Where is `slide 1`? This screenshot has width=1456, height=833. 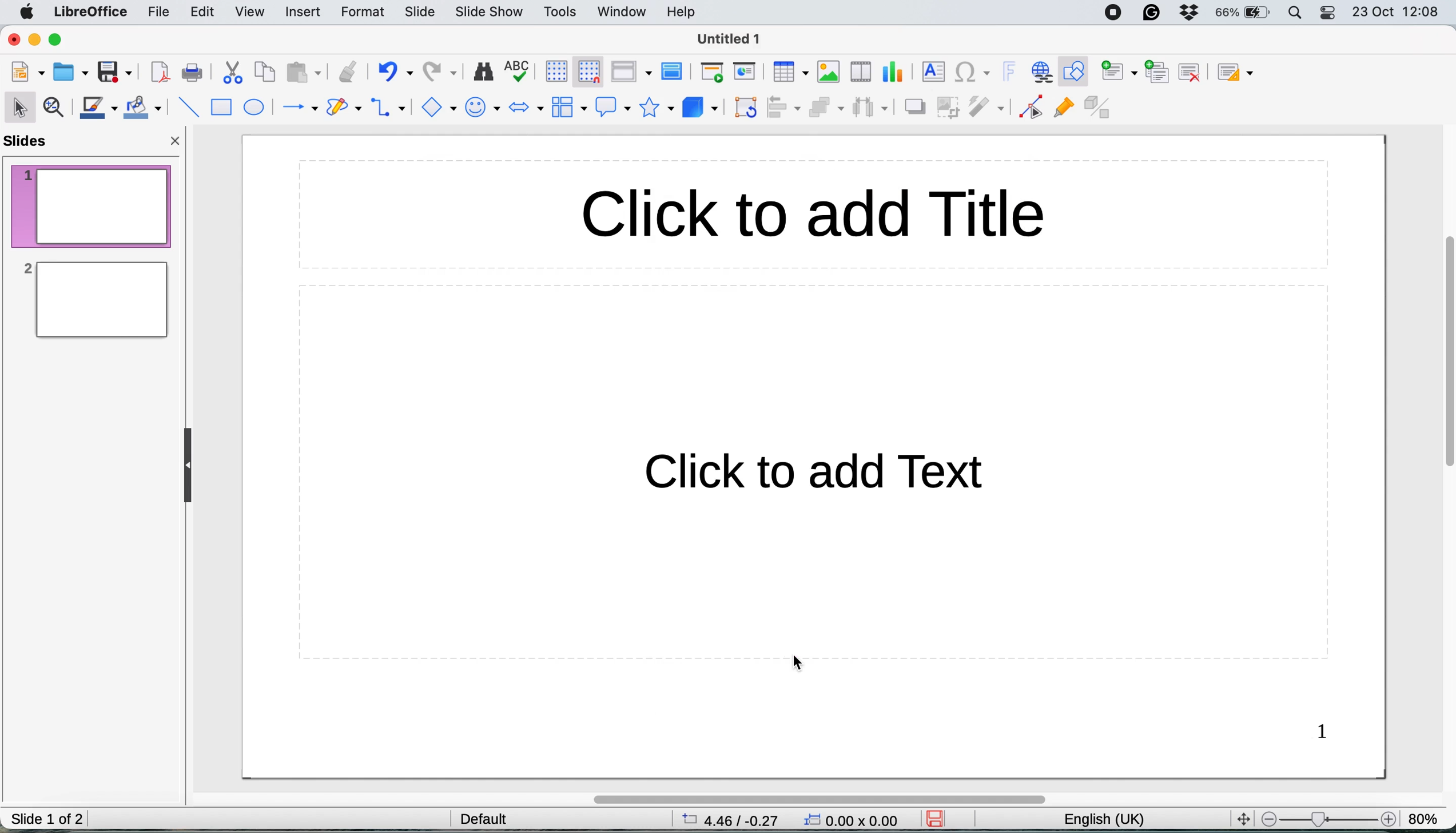
slide 1 is located at coordinates (92, 205).